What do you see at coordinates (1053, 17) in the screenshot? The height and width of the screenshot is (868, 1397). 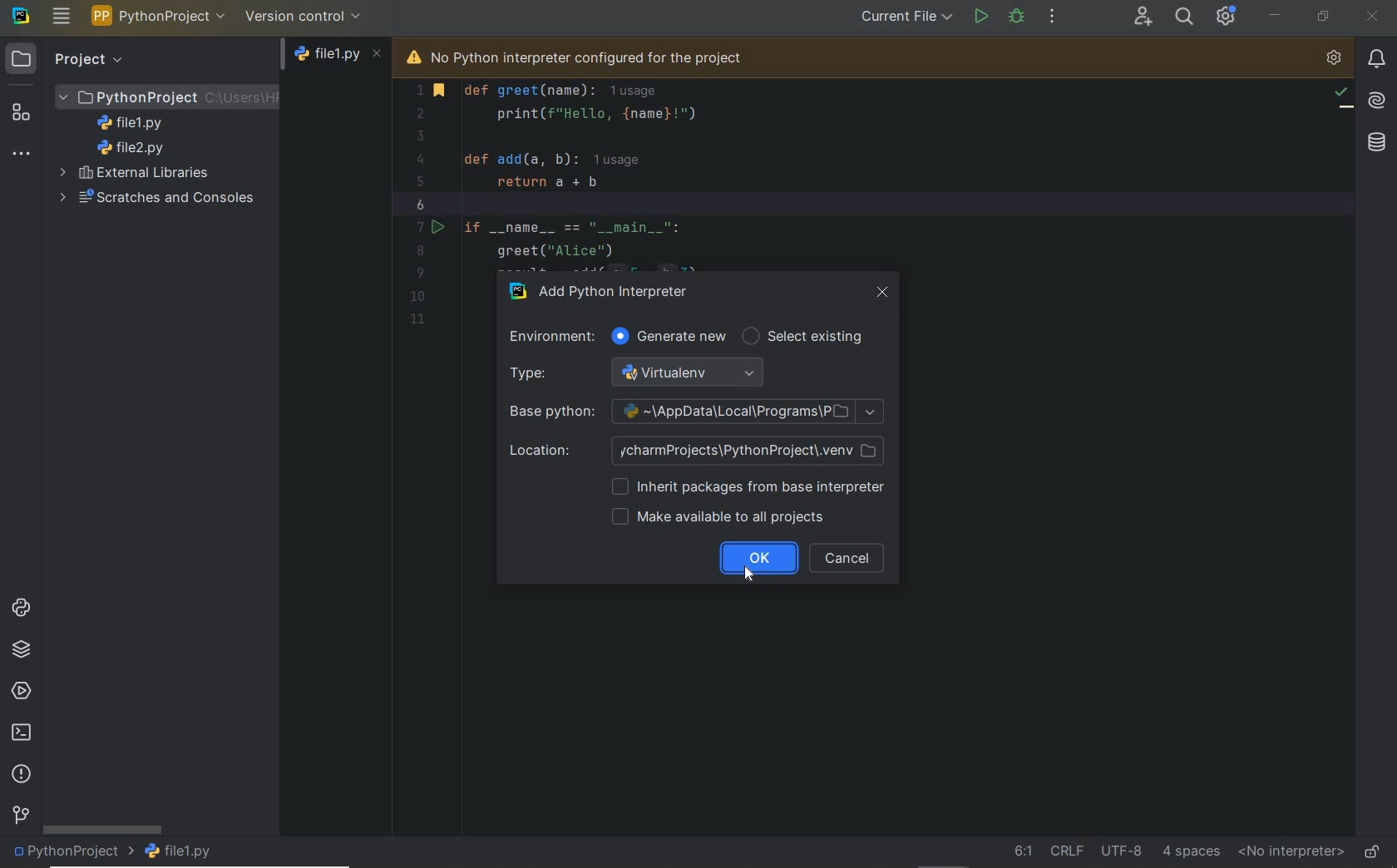 I see `more actions` at bounding box center [1053, 17].